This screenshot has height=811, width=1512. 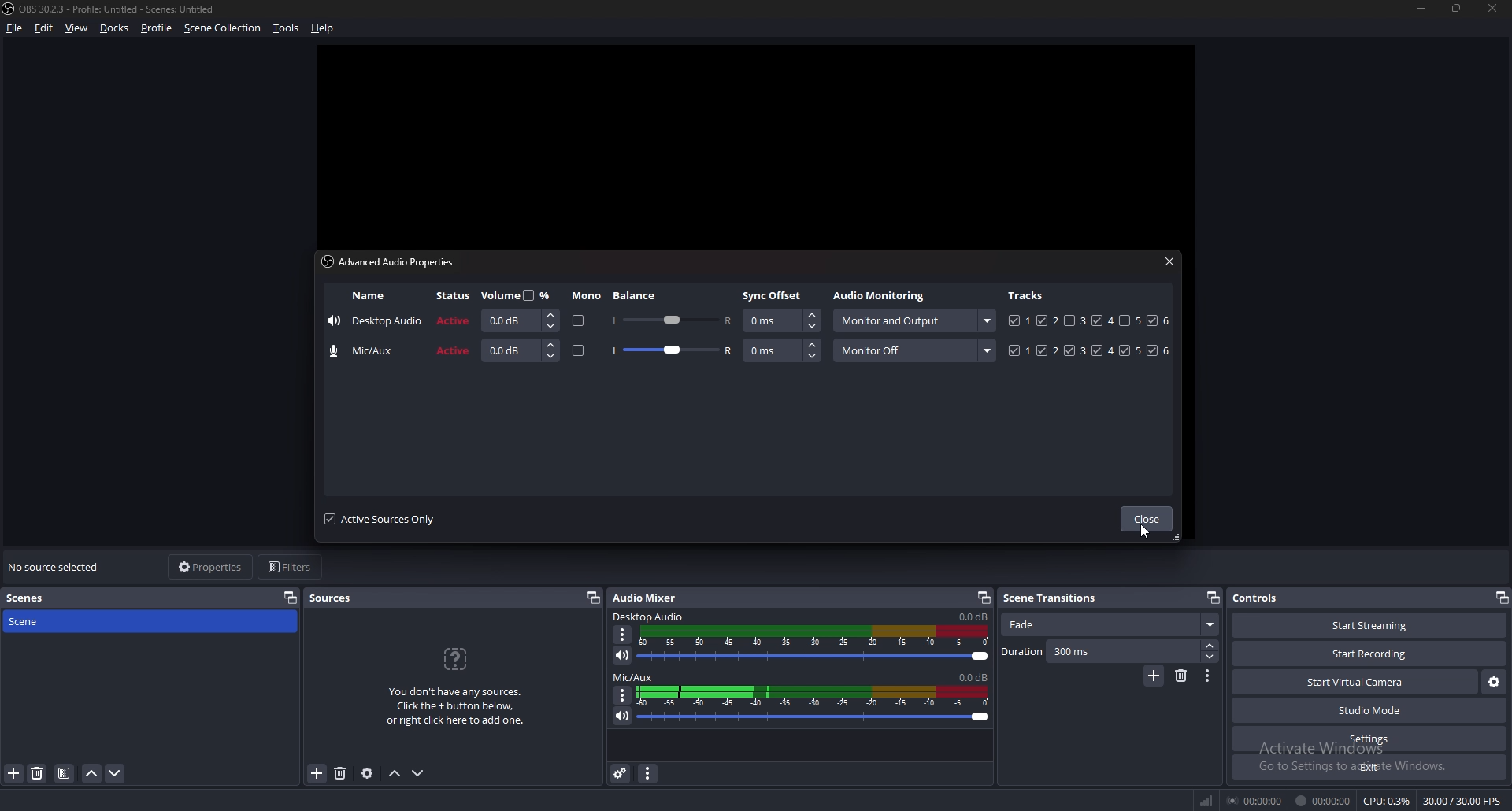 I want to click on name, so click(x=369, y=296).